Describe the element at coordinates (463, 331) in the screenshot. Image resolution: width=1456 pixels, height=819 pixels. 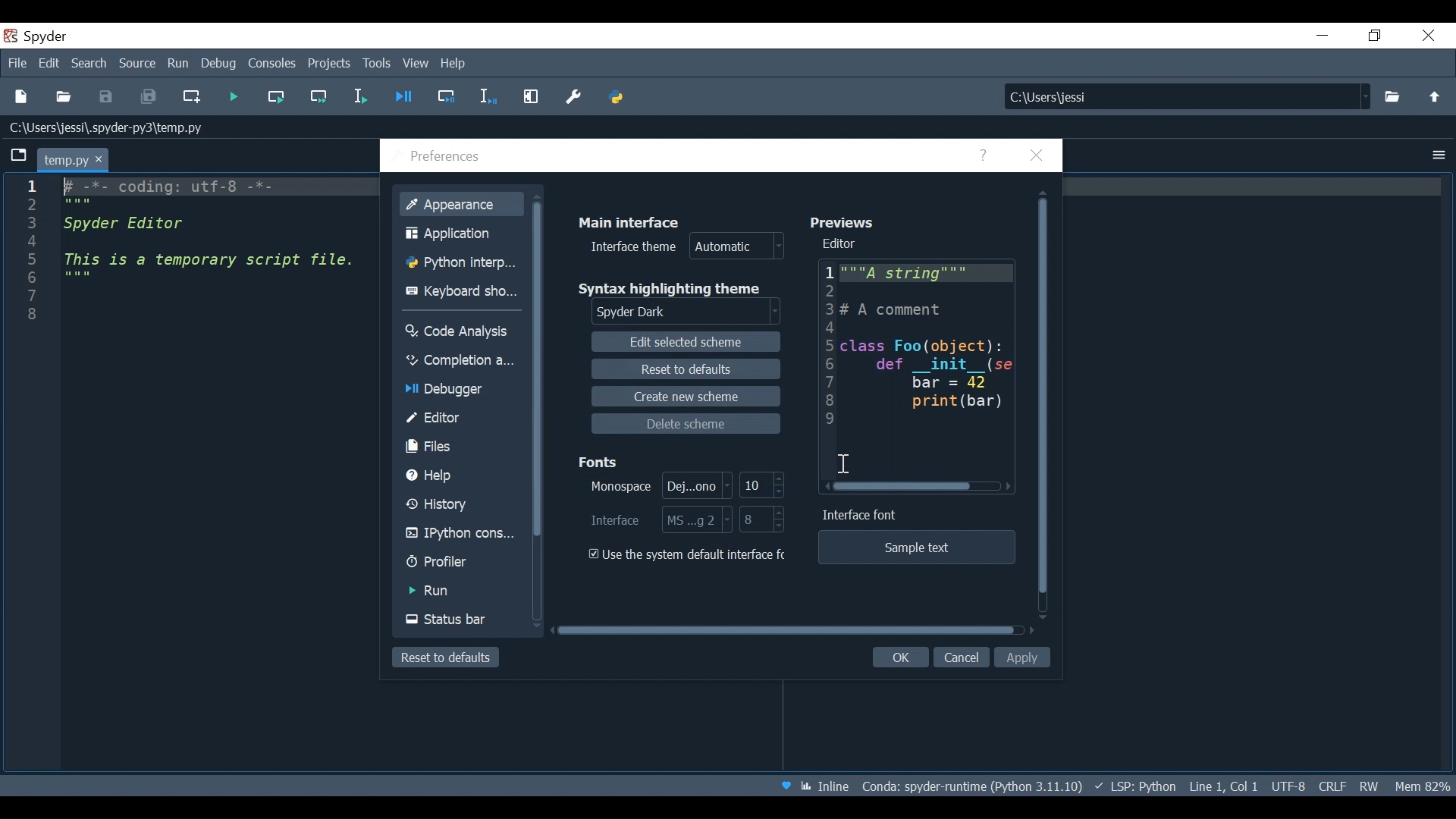
I see `Code Analysis` at that location.